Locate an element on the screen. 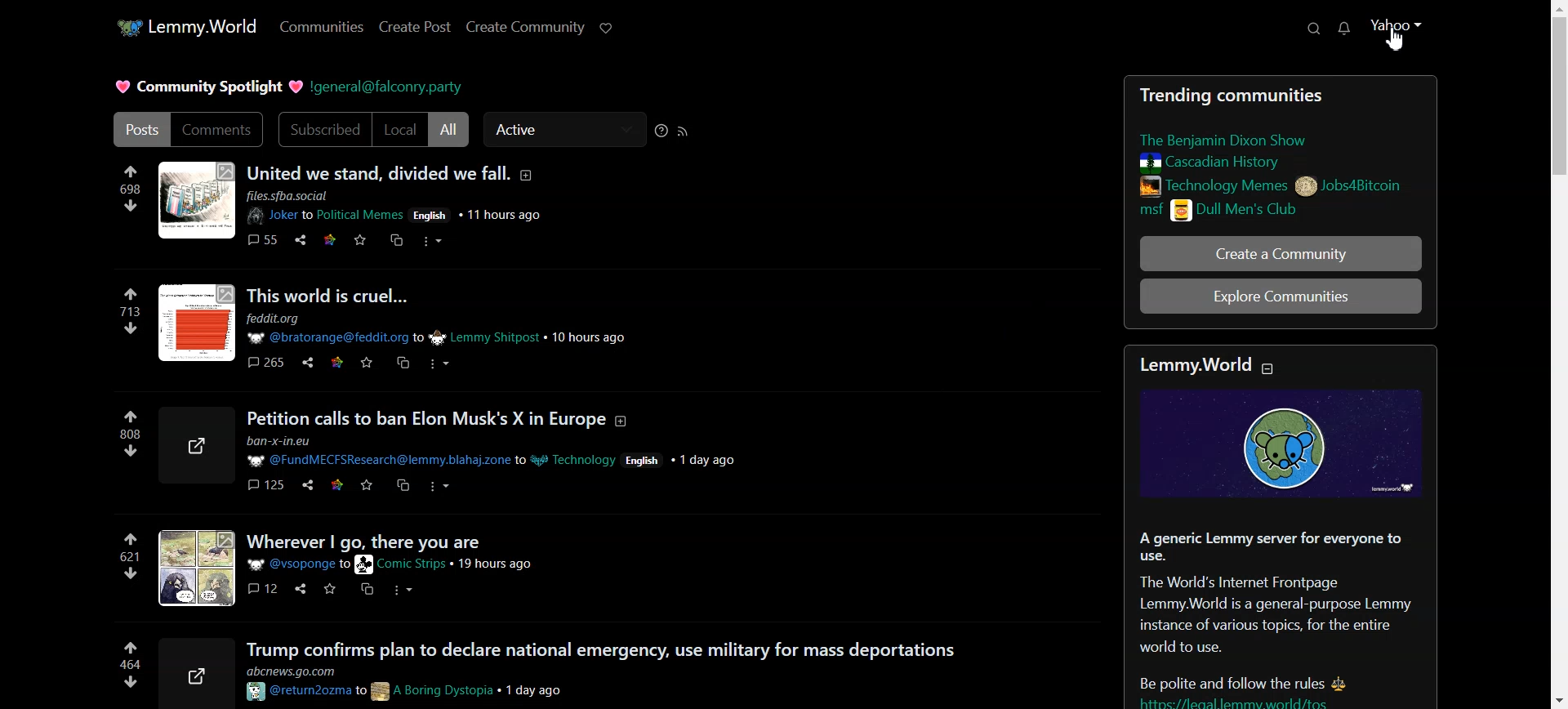 The image size is (1568, 709). web is located at coordinates (337, 494).